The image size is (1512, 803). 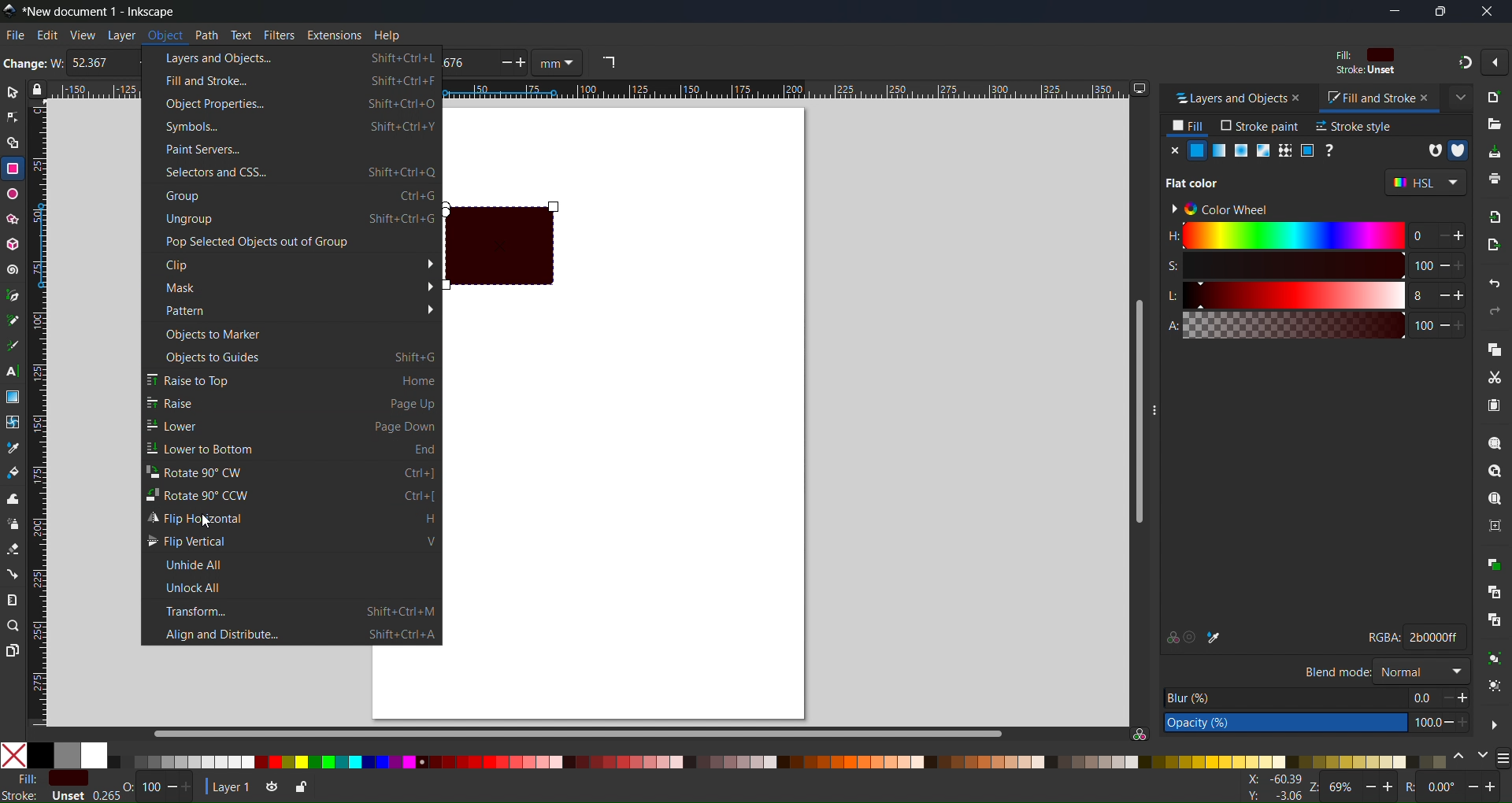 I want to click on Group, so click(x=1493, y=660).